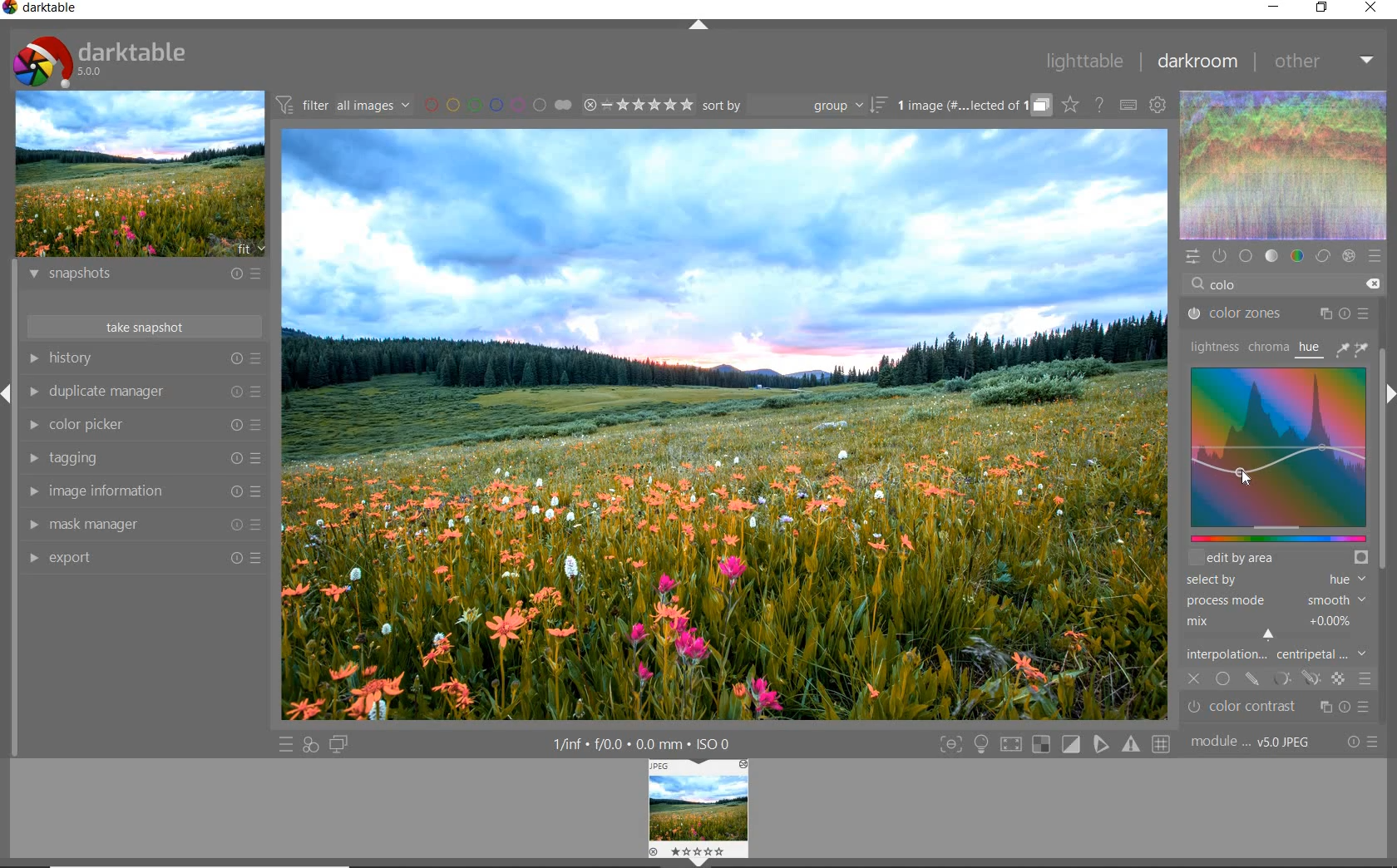 The width and height of the screenshot is (1397, 868). Describe the element at coordinates (1272, 254) in the screenshot. I see `tone` at that location.